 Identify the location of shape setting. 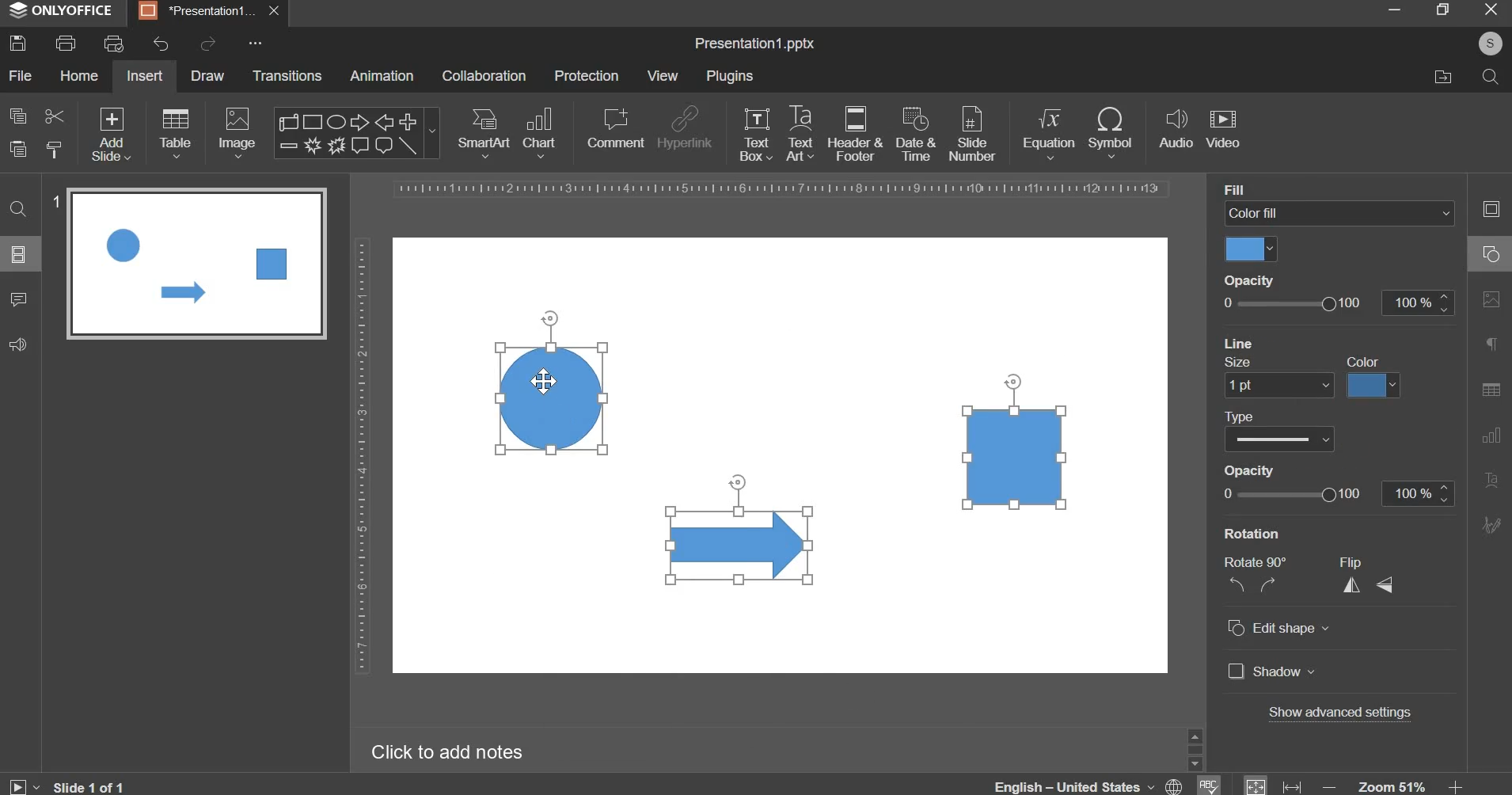
(1492, 252).